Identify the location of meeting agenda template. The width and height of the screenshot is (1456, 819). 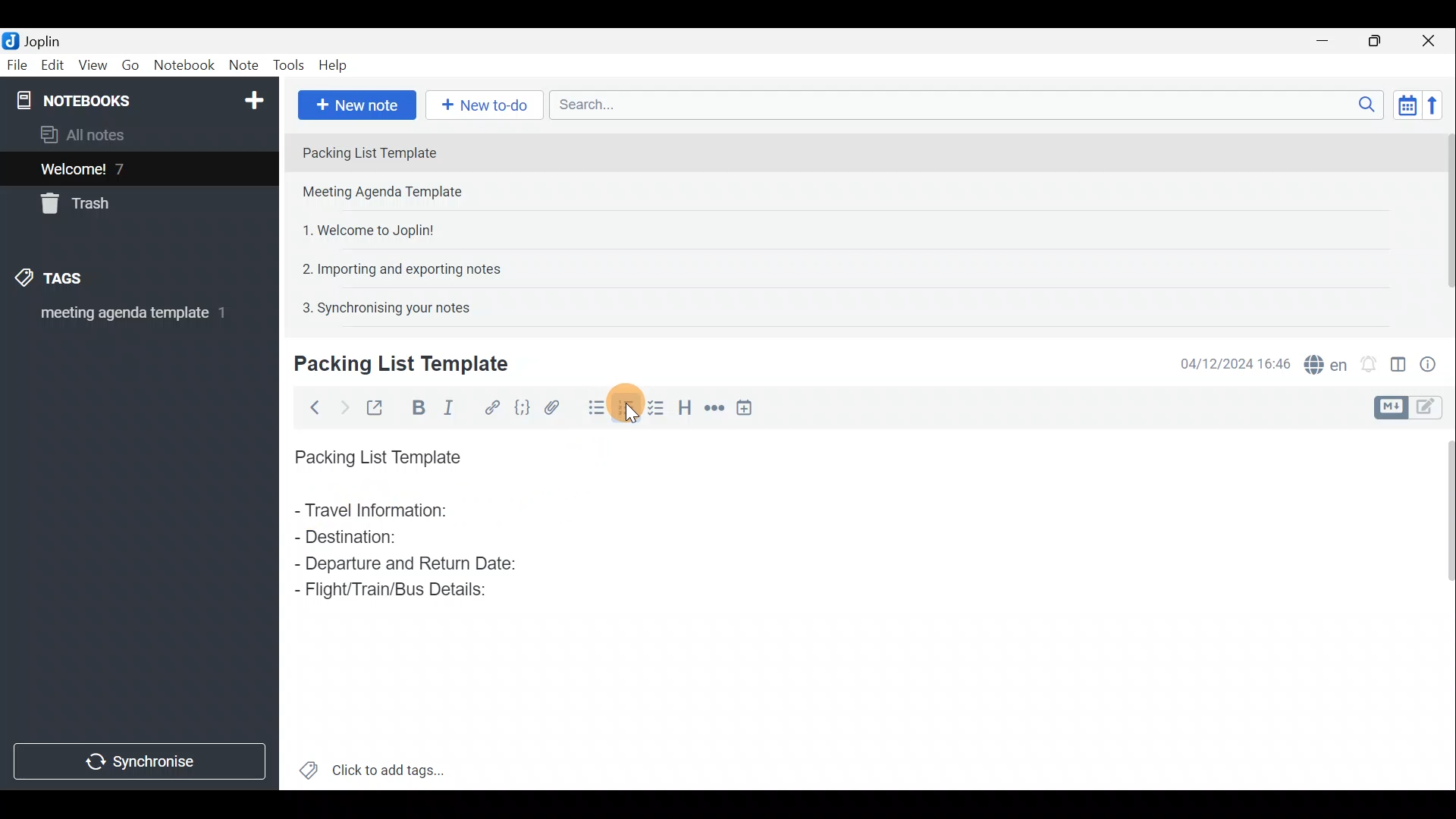
(130, 318).